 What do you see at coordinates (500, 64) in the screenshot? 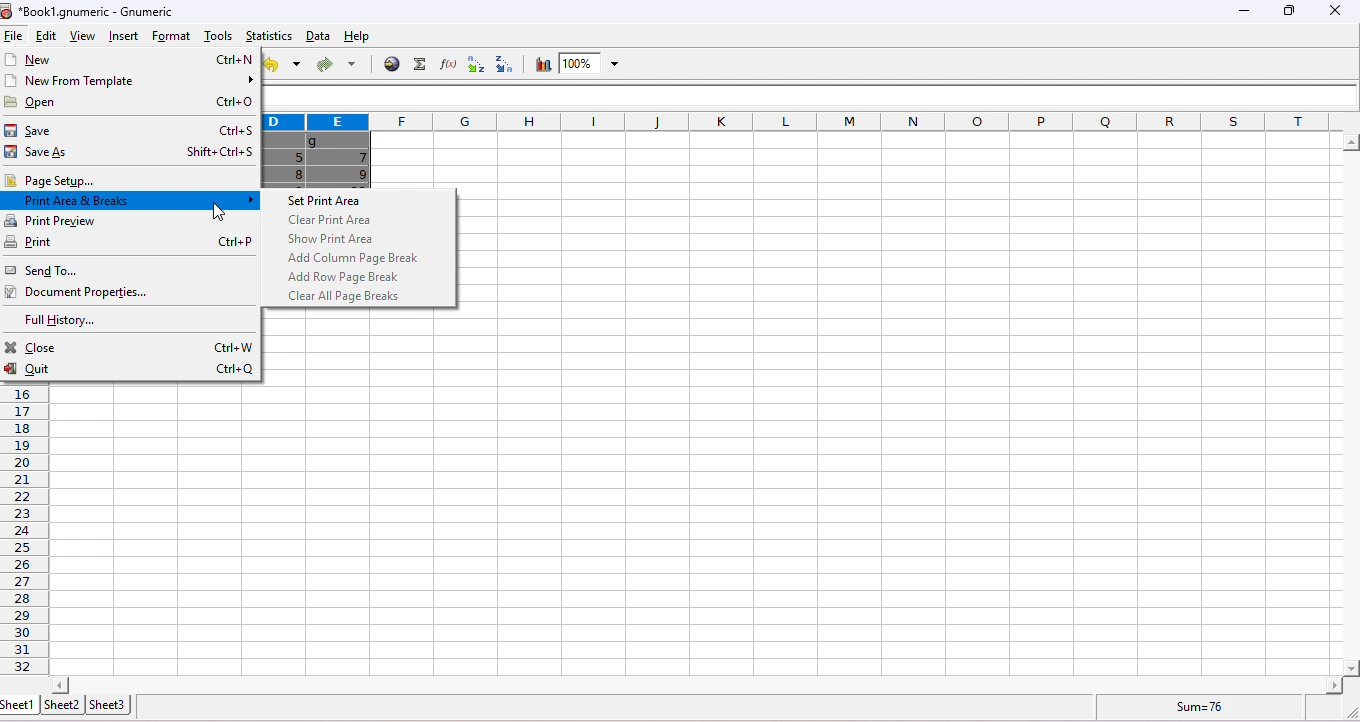
I see `sort descending` at bounding box center [500, 64].